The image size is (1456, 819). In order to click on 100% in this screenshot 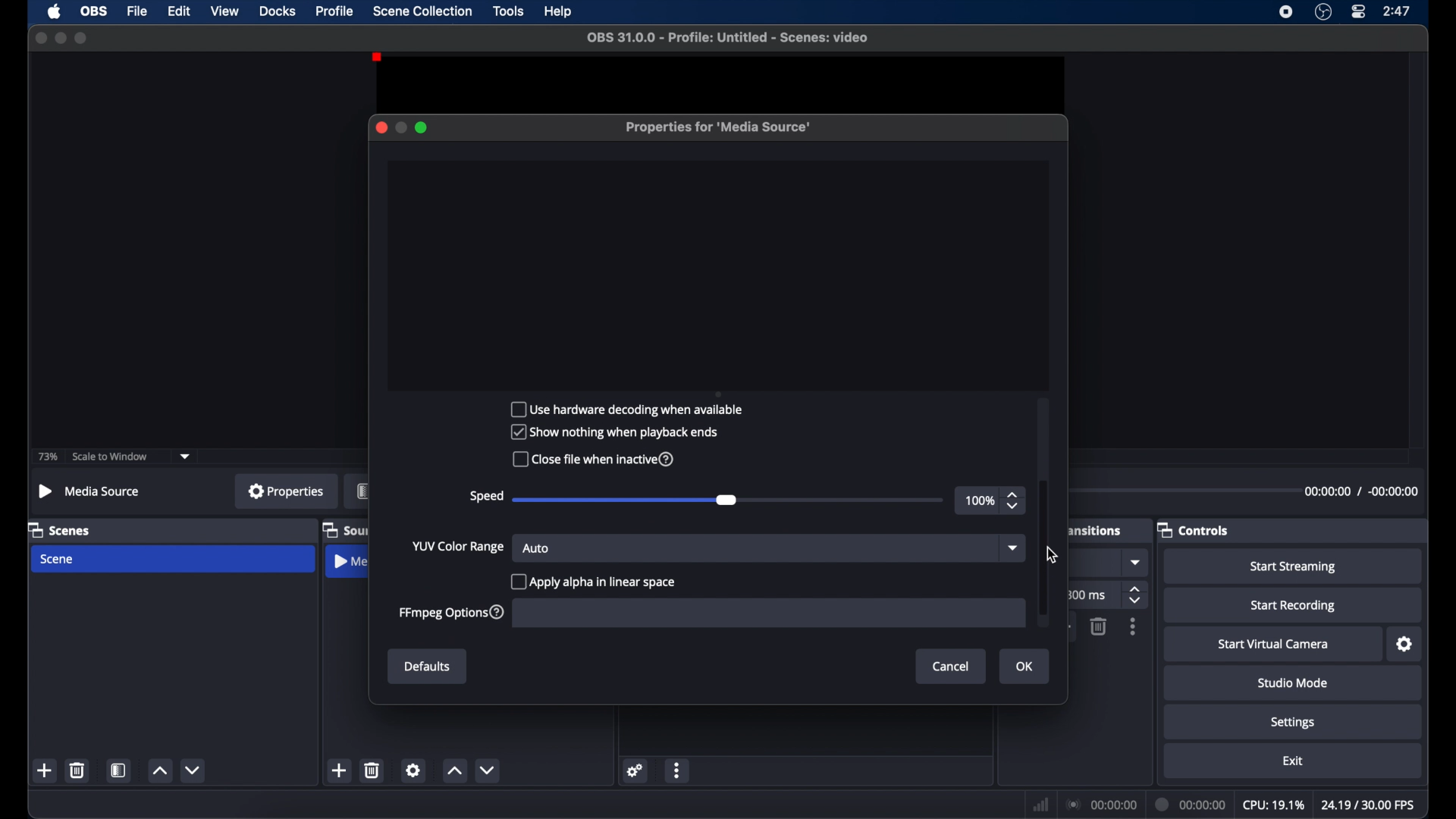, I will do `click(980, 501)`.